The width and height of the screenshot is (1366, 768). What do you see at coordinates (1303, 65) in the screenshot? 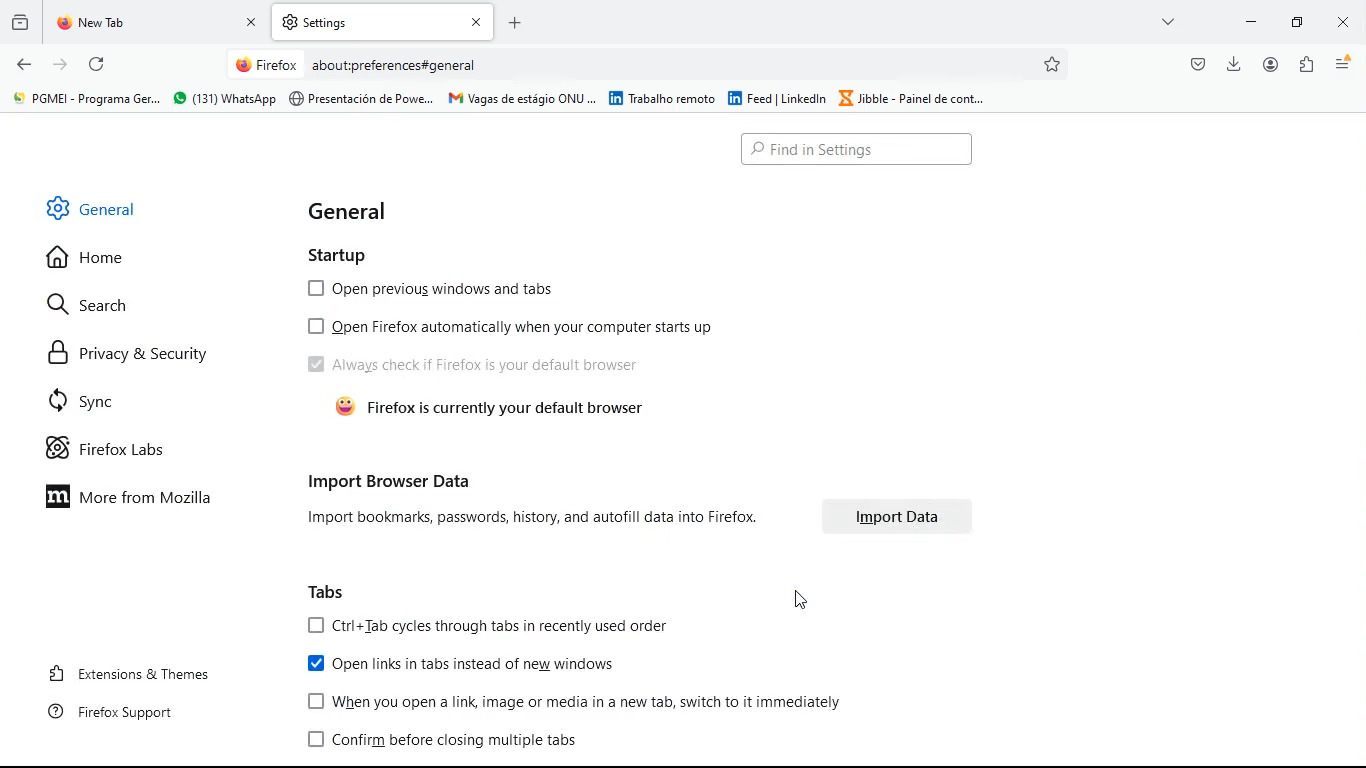
I see `extentions` at bounding box center [1303, 65].